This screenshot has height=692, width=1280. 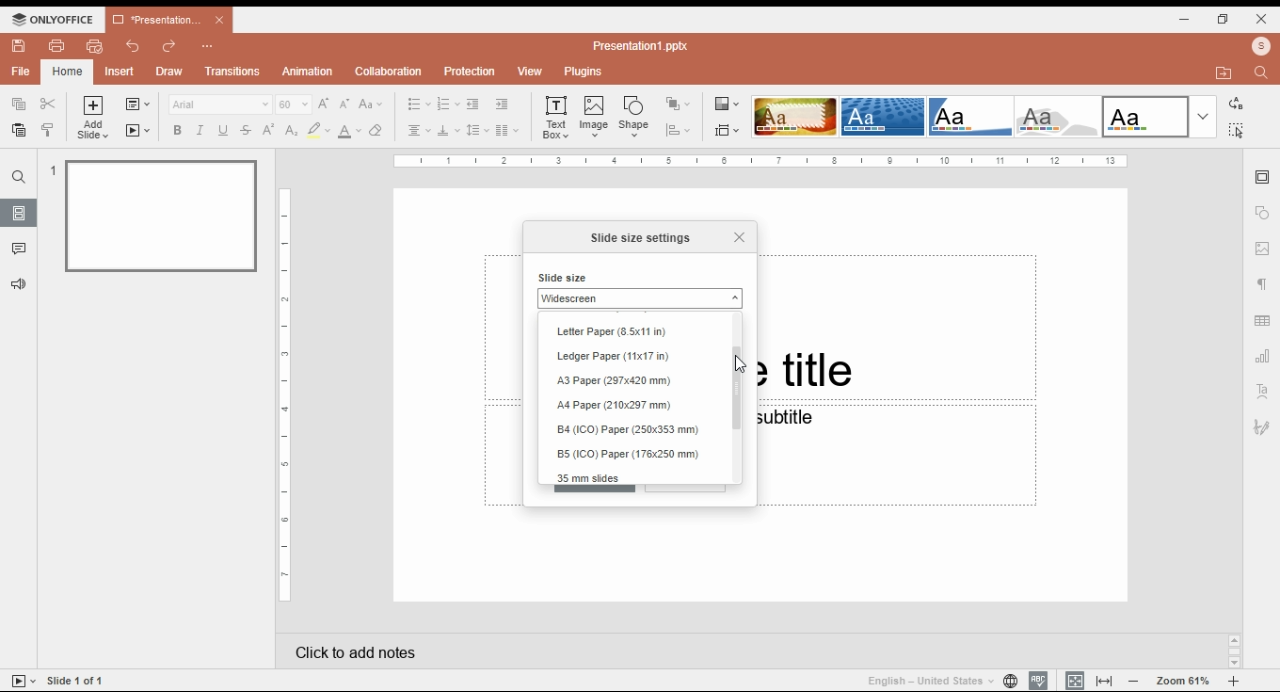 I want to click on line spacing, so click(x=478, y=131).